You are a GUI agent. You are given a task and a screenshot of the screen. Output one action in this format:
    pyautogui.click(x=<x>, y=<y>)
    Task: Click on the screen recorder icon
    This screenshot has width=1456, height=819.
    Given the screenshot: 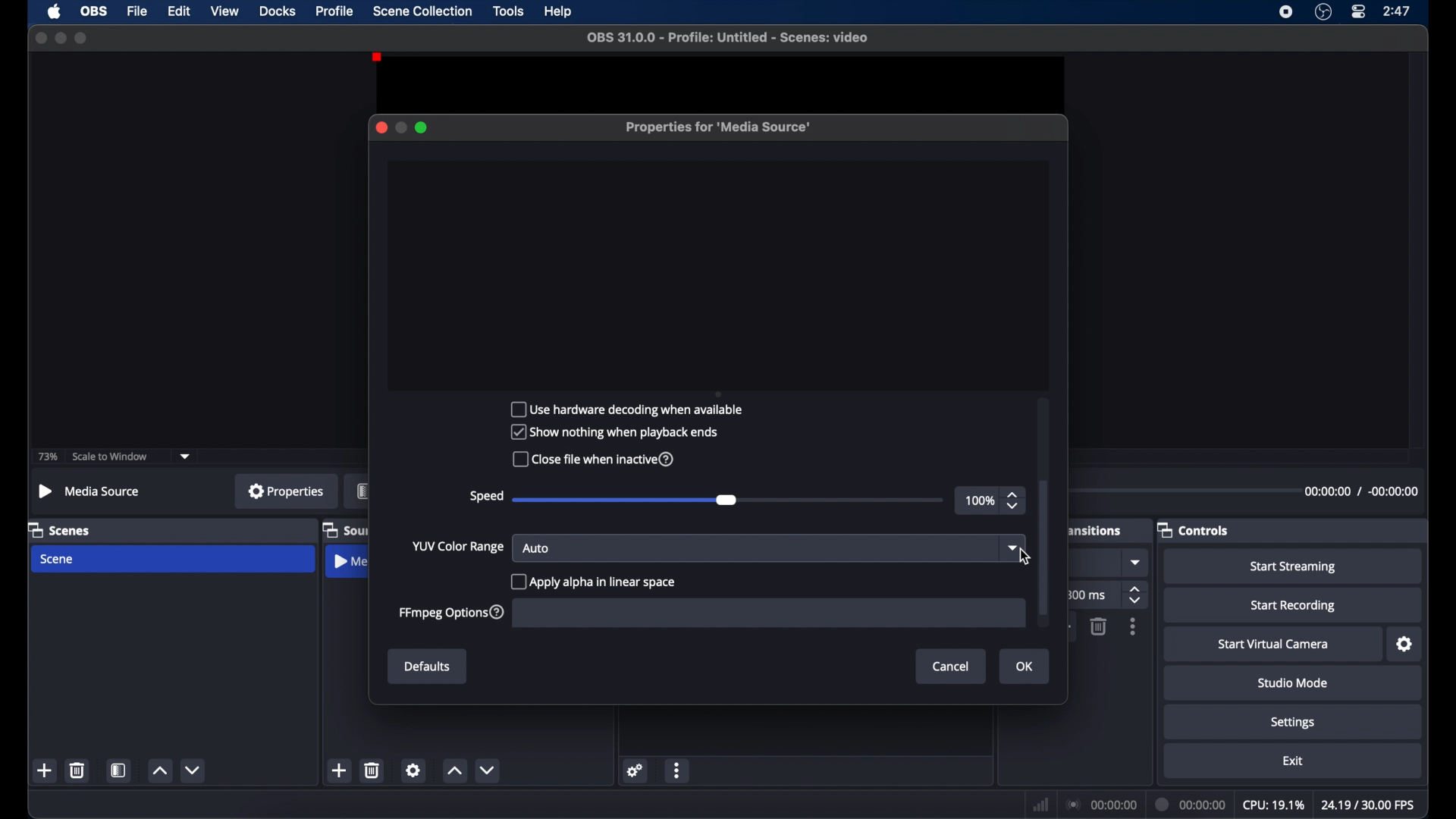 What is the action you would take?
    pyautogui.click(x=1286, y=12)
    